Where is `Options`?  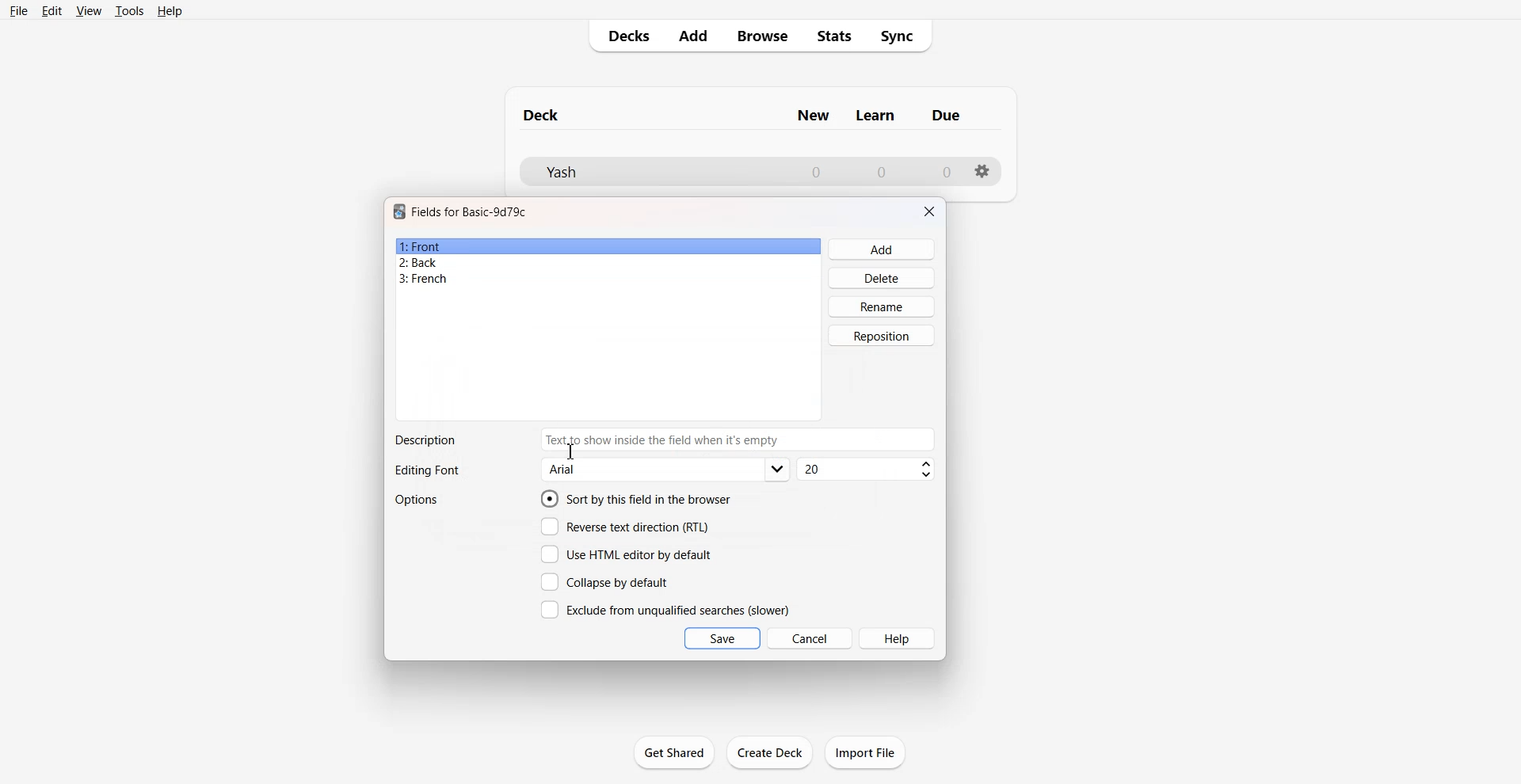
Options is located at coordinates (418, 500).